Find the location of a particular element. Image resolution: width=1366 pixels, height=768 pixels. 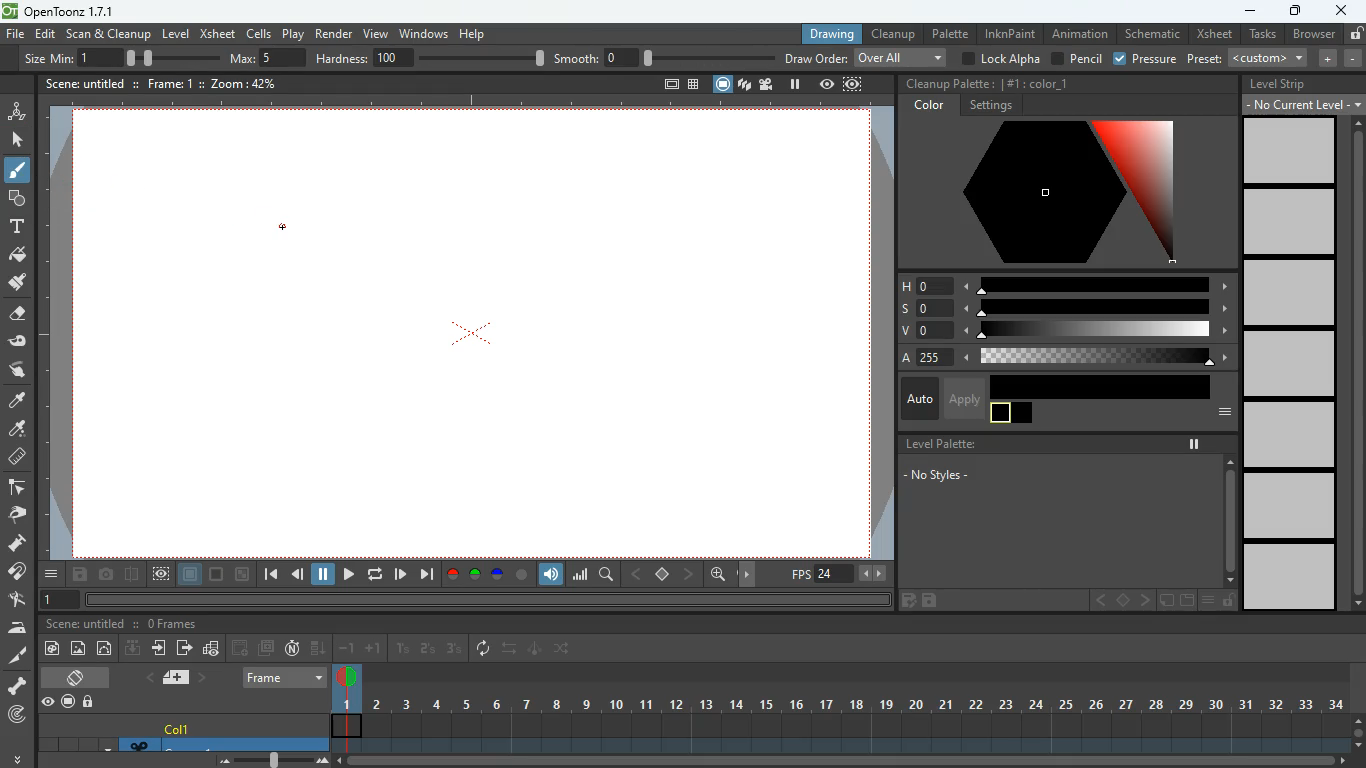

menu is located at coordinates (1219, 413).